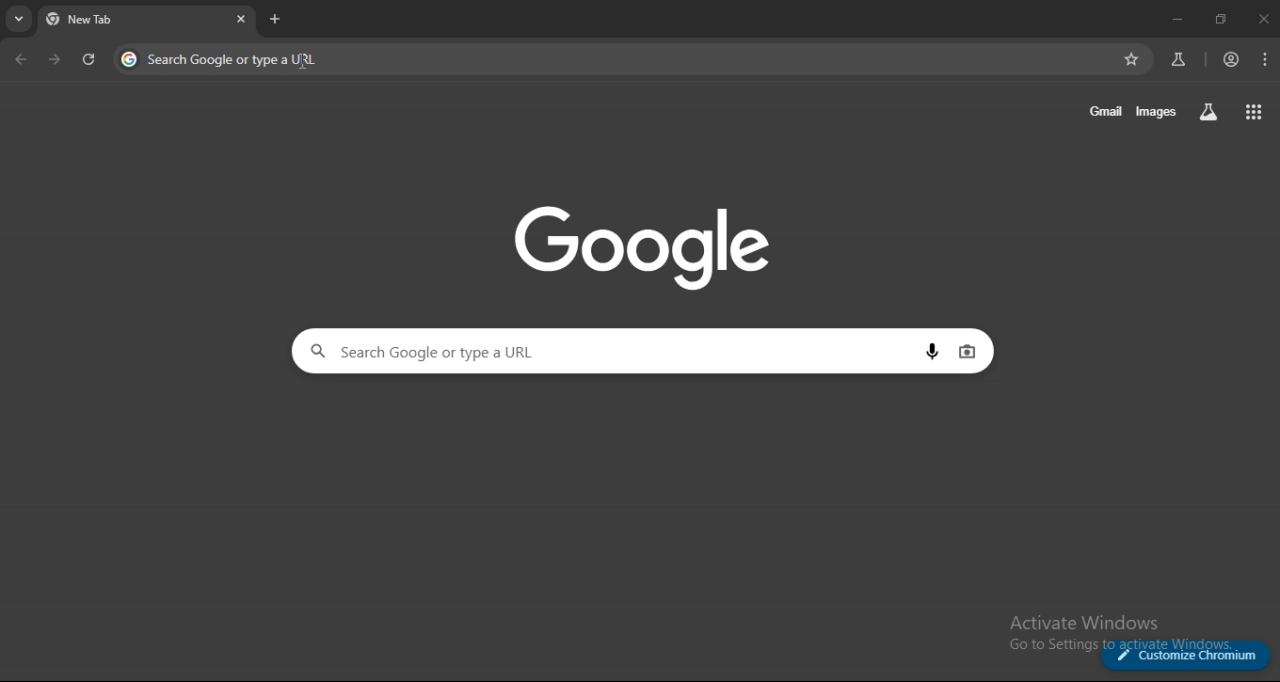 This screenshot has height=682, width=1280. What do you see at coordinates (967, 352) in the screenshot?
I see `image search` at bounding box center [967, 352].